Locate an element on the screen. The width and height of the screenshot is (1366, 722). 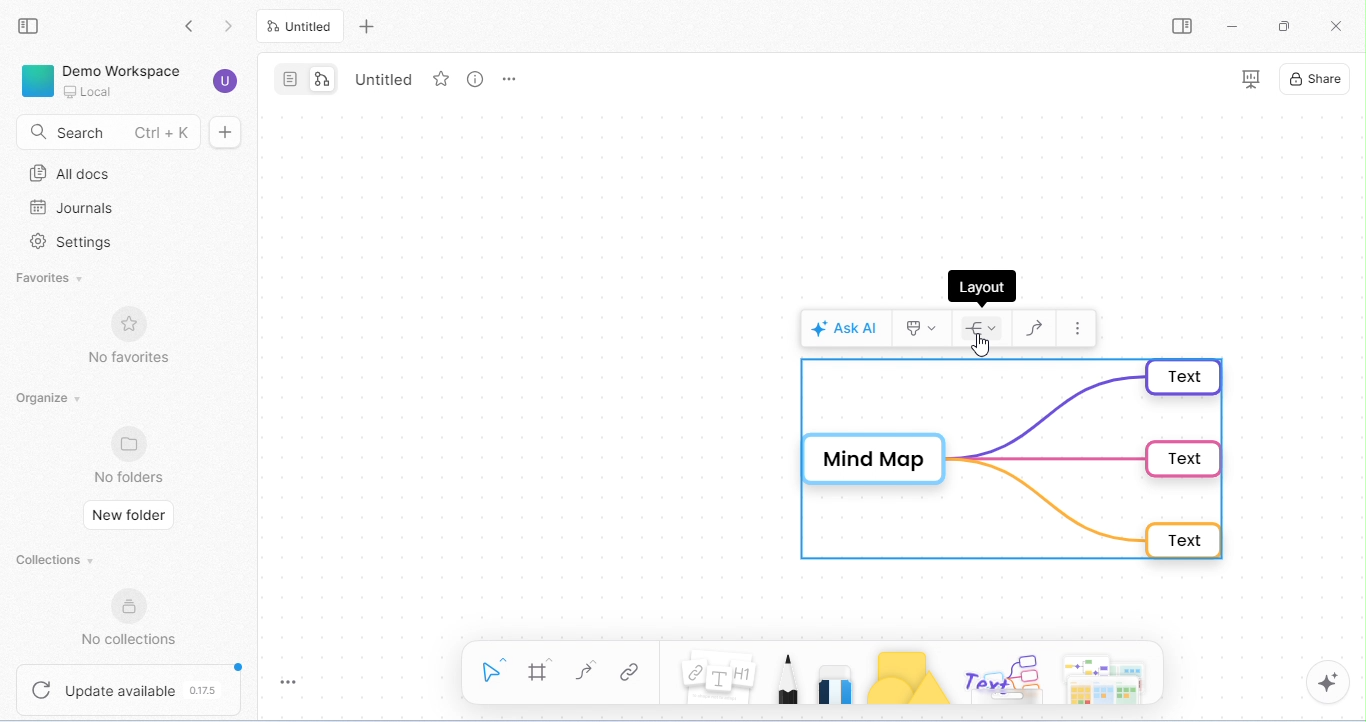
draw connectors is located at coordinates (1039, 327).